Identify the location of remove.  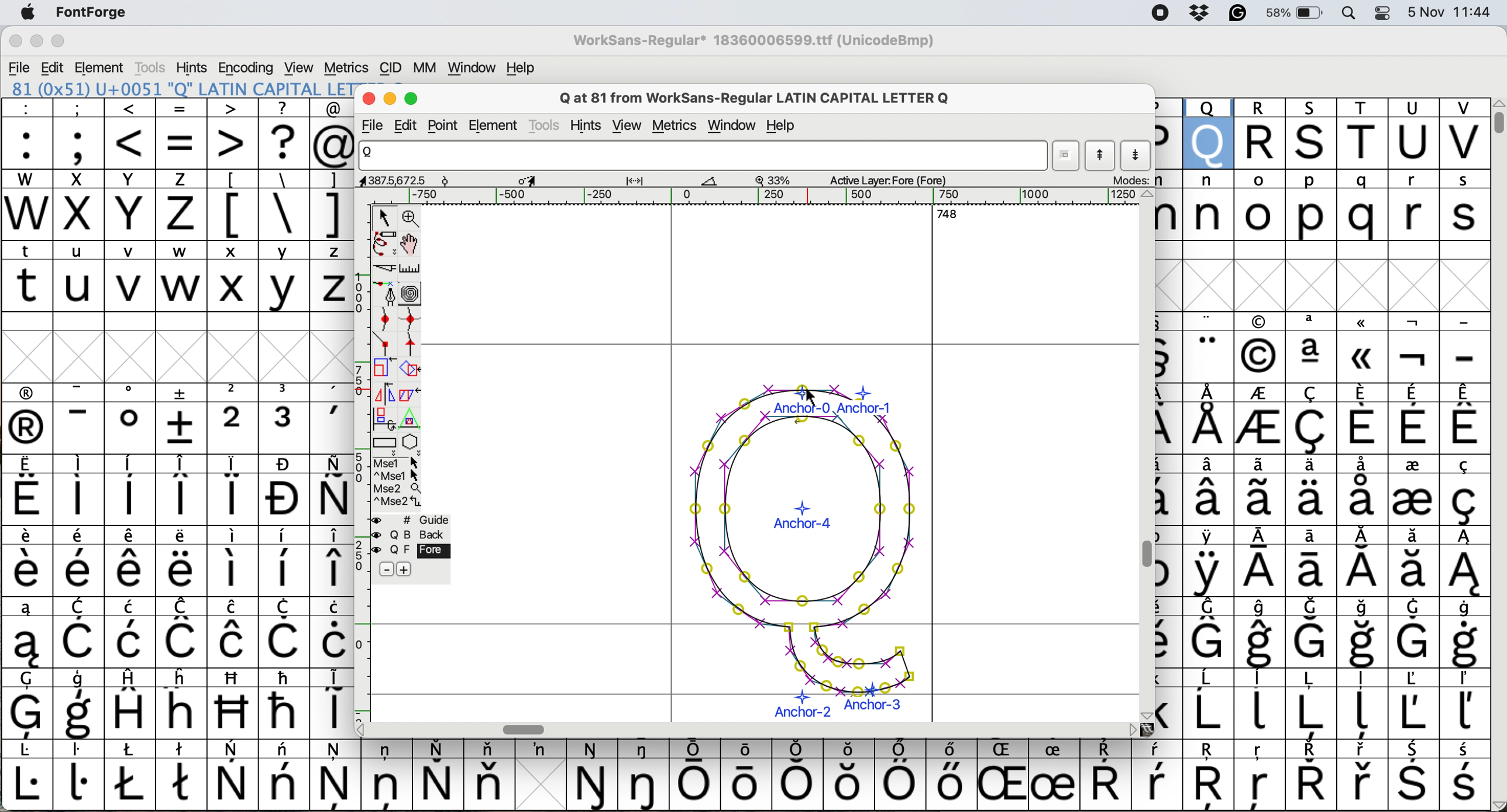
(384, 569).